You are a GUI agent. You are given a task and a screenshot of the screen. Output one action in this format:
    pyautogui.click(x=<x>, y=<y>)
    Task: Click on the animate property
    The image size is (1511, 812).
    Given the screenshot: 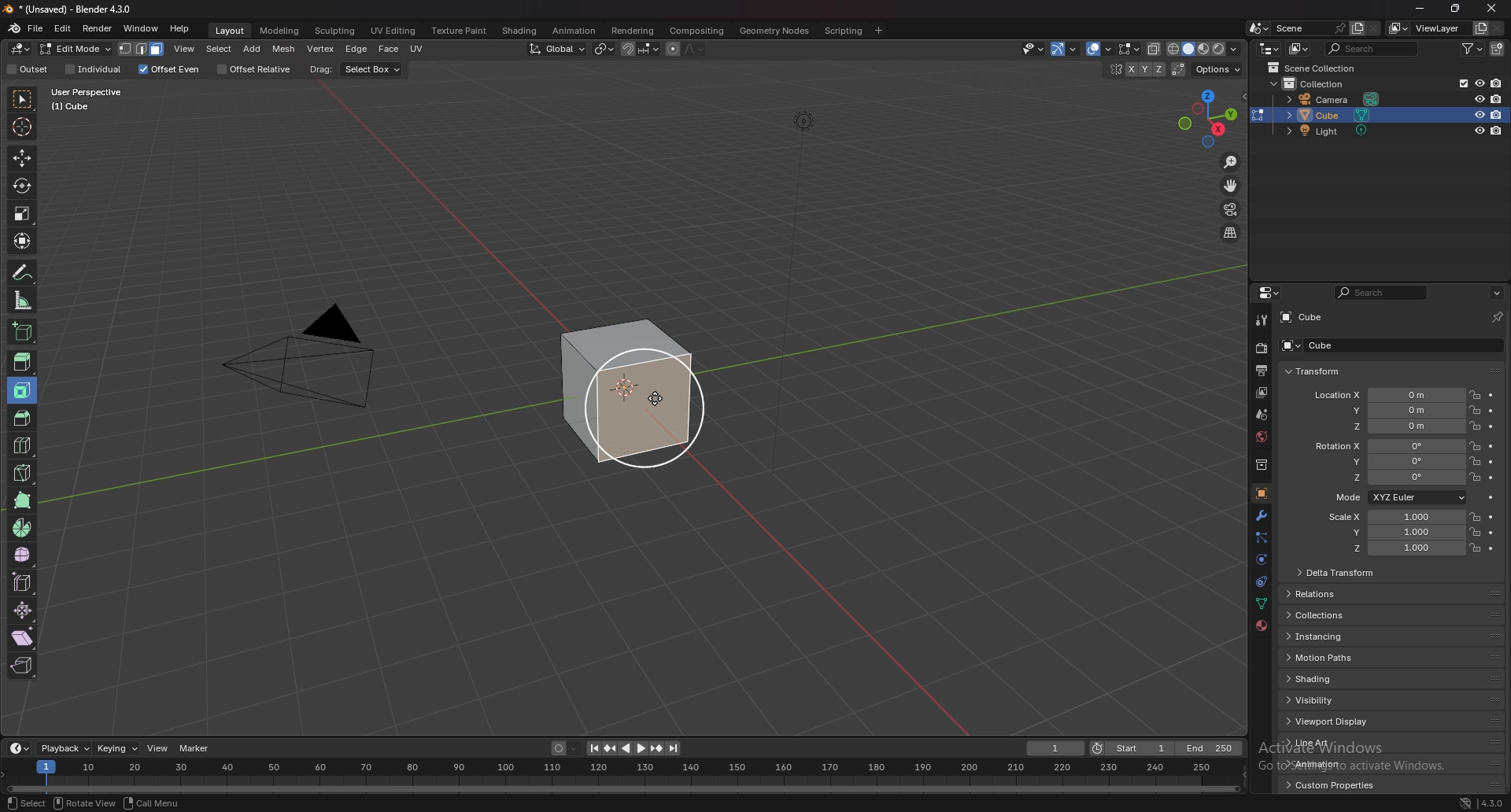 What is the action you would take?
    pyautogui.click(x=1491, y=533)
    